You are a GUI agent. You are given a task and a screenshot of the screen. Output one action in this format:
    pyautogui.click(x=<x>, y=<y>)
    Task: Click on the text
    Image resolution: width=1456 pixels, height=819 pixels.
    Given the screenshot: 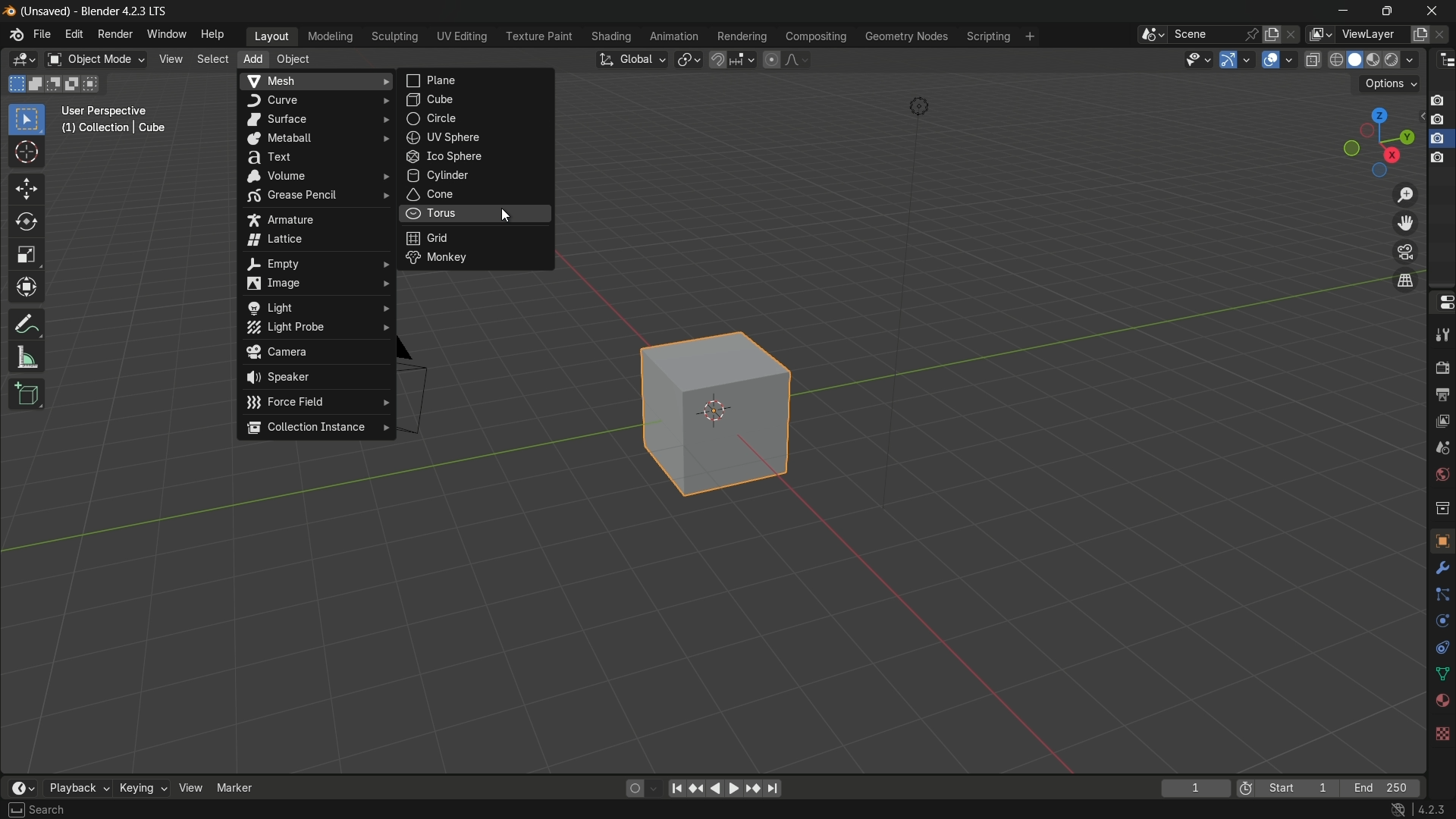 What is the action you would take?
    pyautogui.click(x=313, y=157)
    